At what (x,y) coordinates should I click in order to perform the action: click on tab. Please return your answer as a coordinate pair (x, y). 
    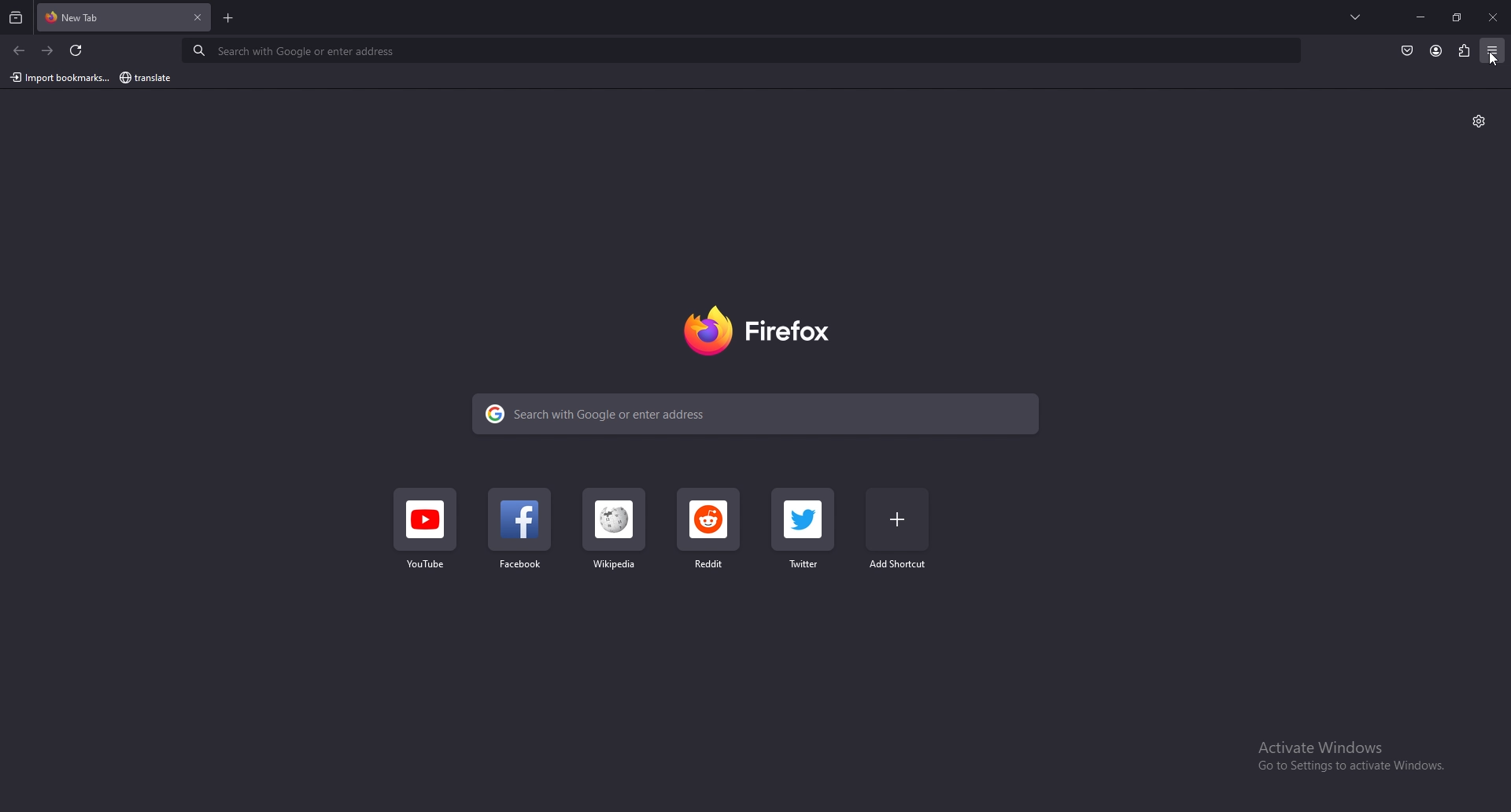
    Looking at the image, I should click on (104, 18).